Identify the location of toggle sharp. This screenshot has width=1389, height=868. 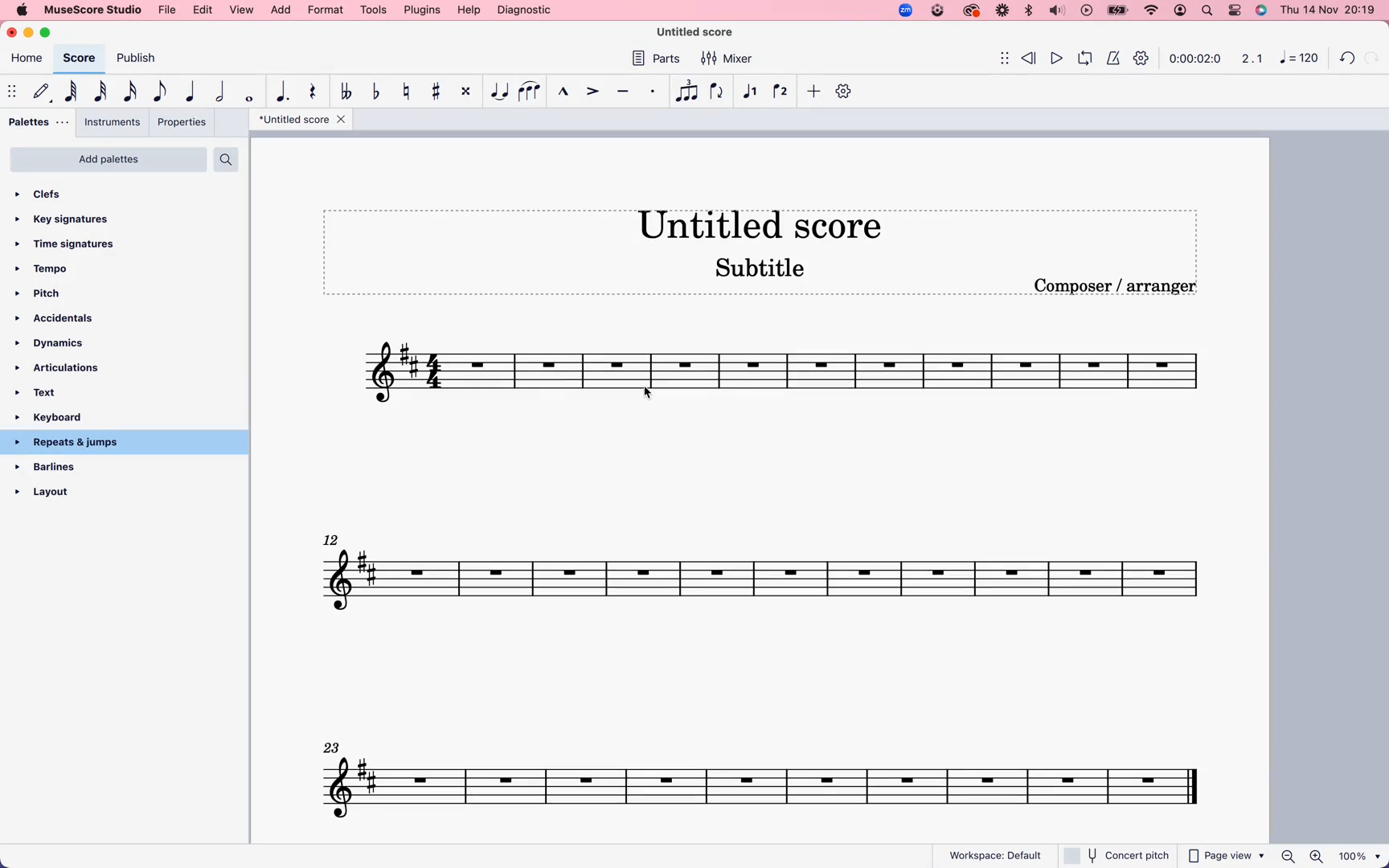
(440, 92).